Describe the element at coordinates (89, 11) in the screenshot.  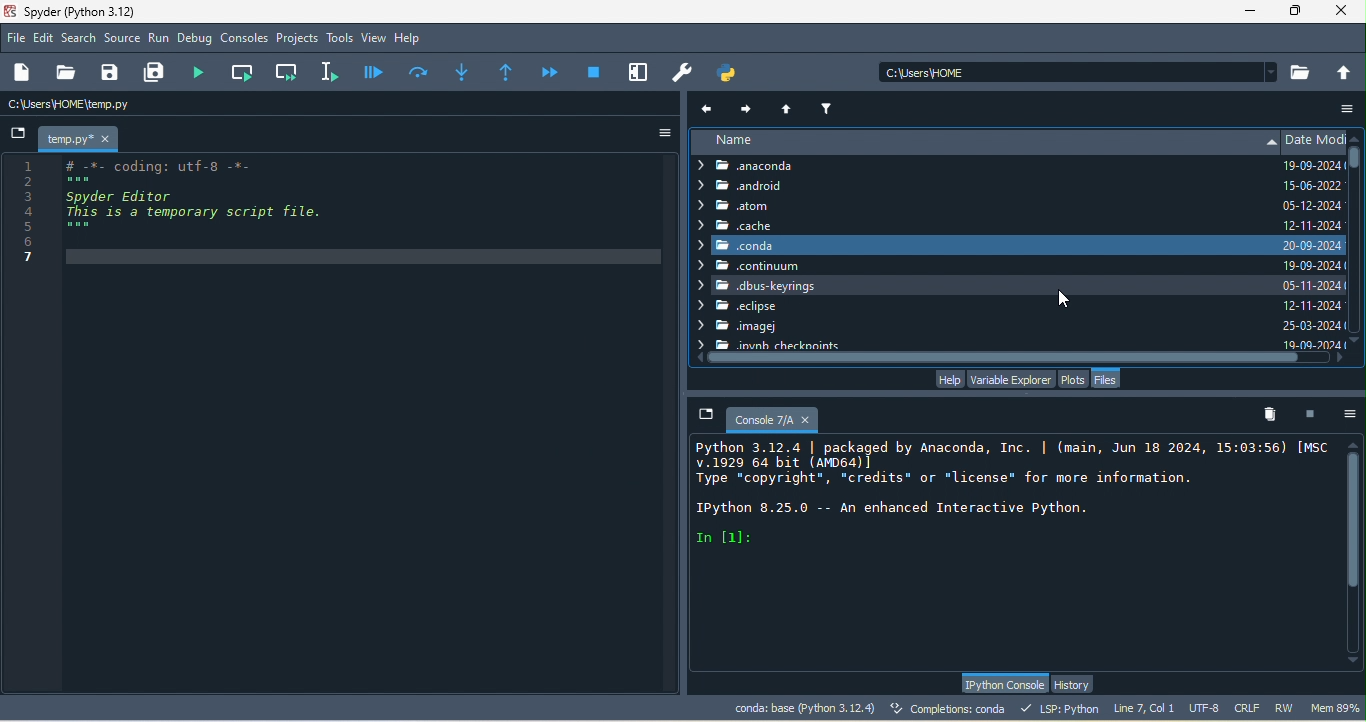
I see `spyder (python 3.12)` at that location.